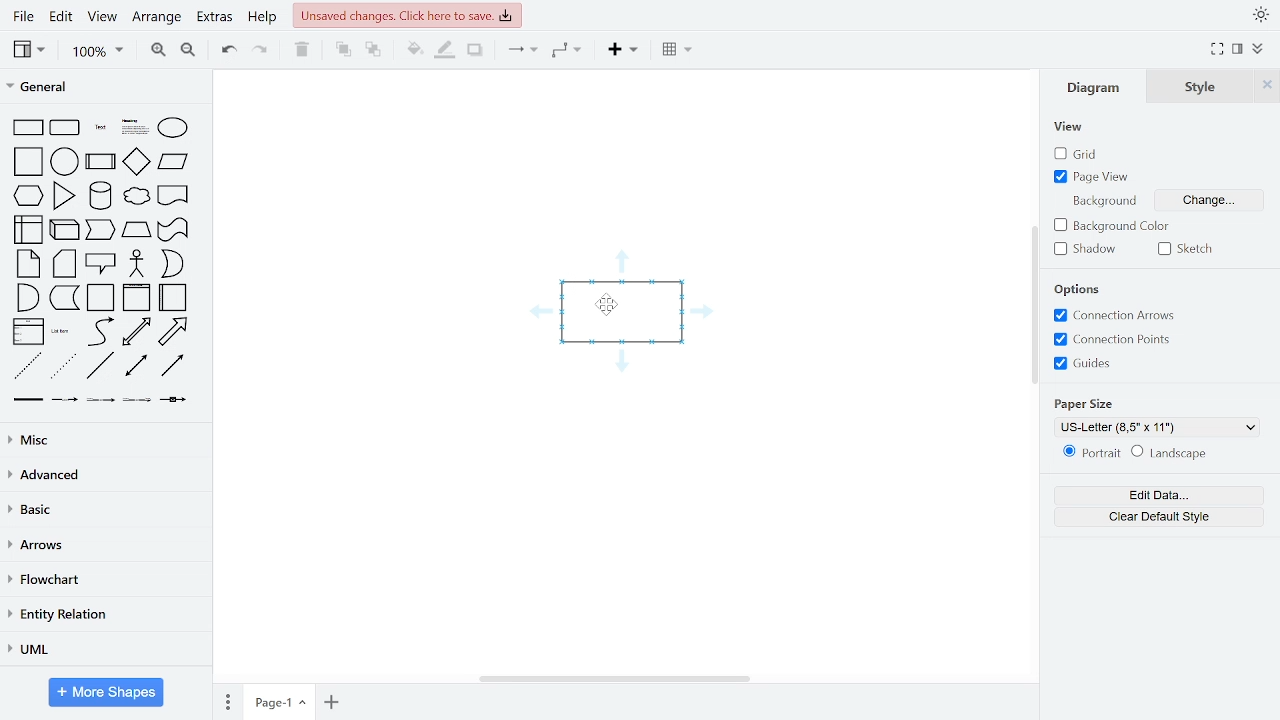  Describe the element at coordinates (1159, 496) in the screenshot. I see `edit data` at that location.